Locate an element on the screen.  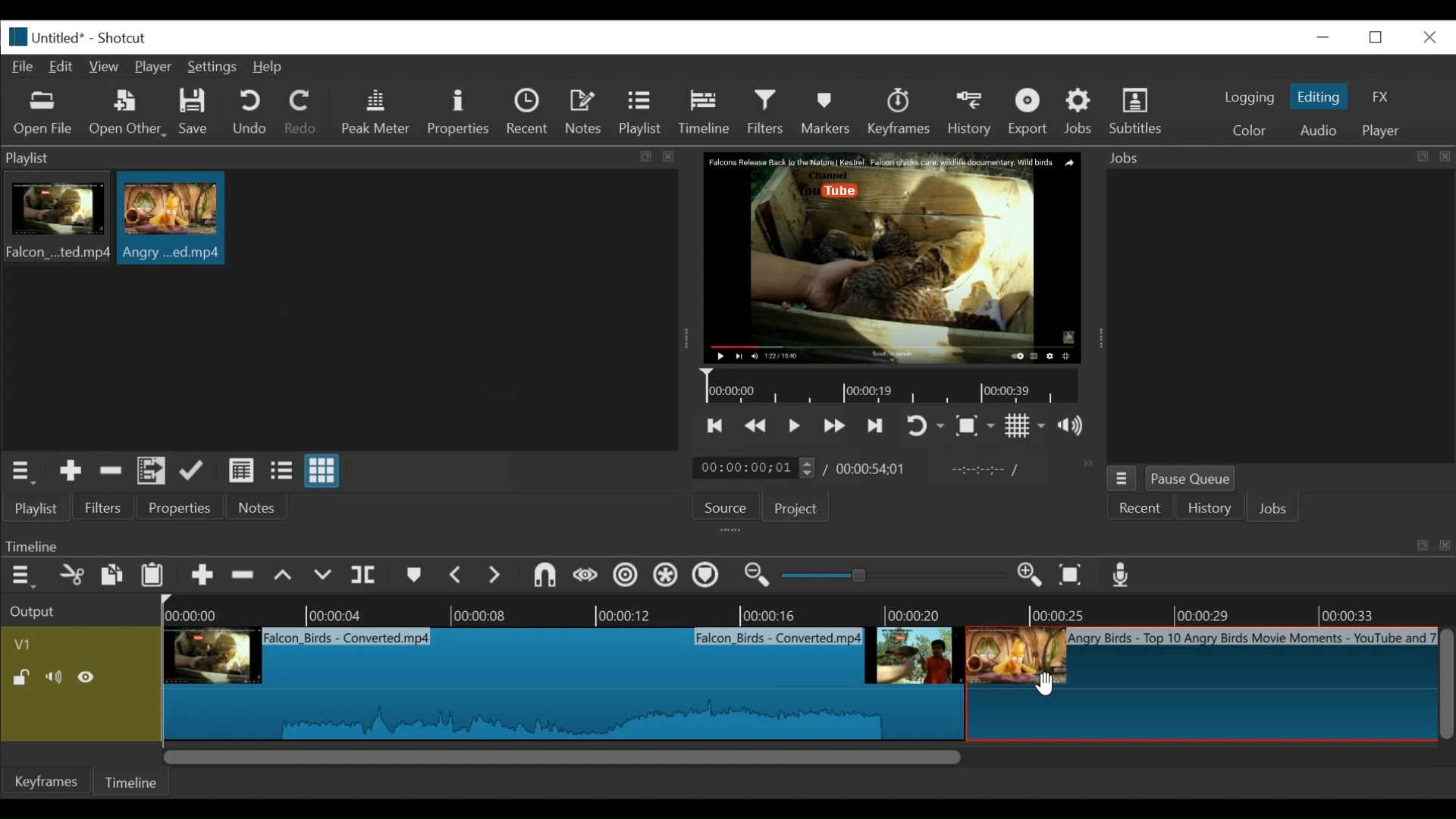
media viewer is located at coordinates (890, 257).